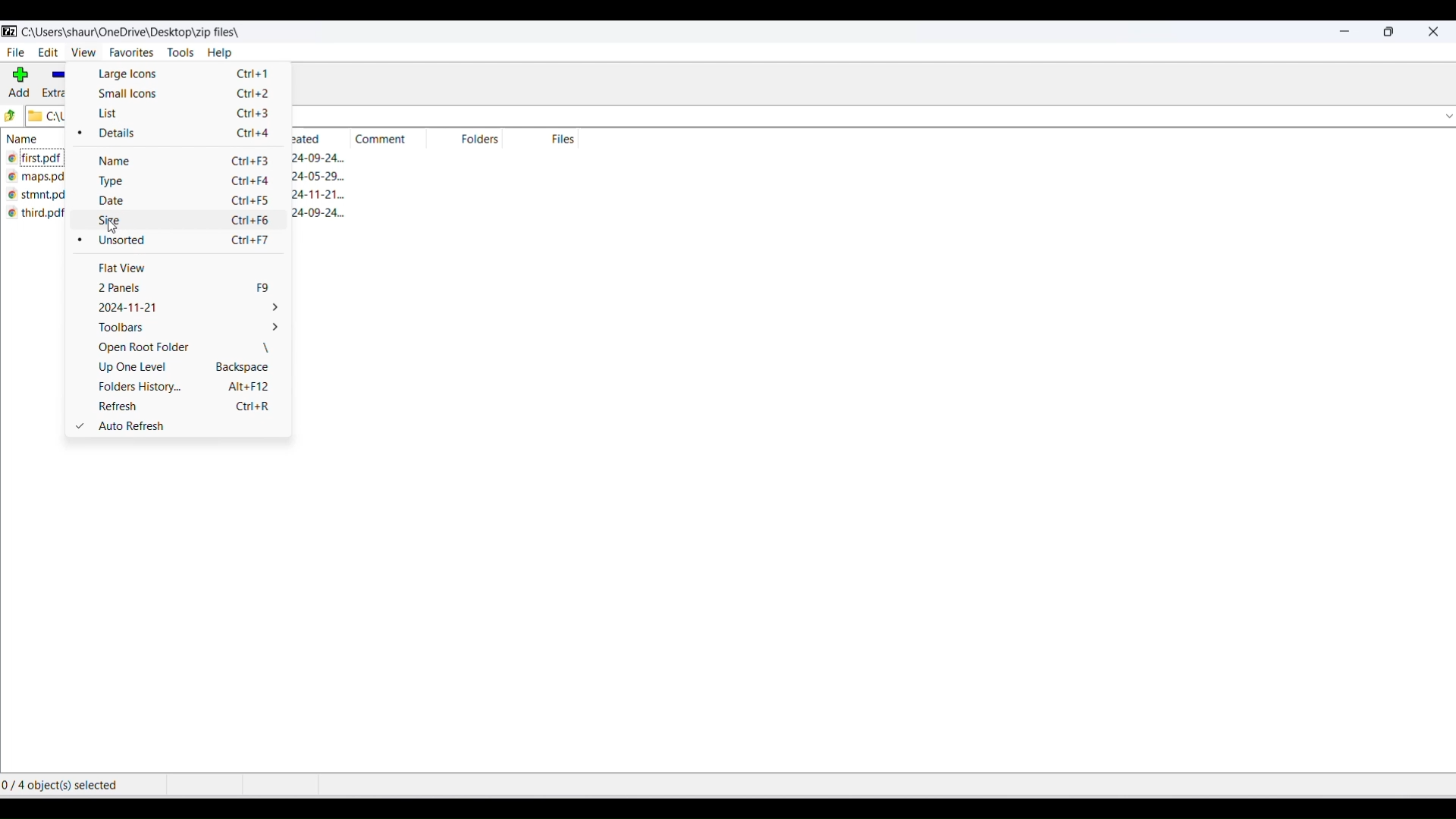 Image resolution: width=1456 pixels, height=819 pixels. Describe the element at coordinates (185, 369) in the screenshot. I see `up one level` at that location.